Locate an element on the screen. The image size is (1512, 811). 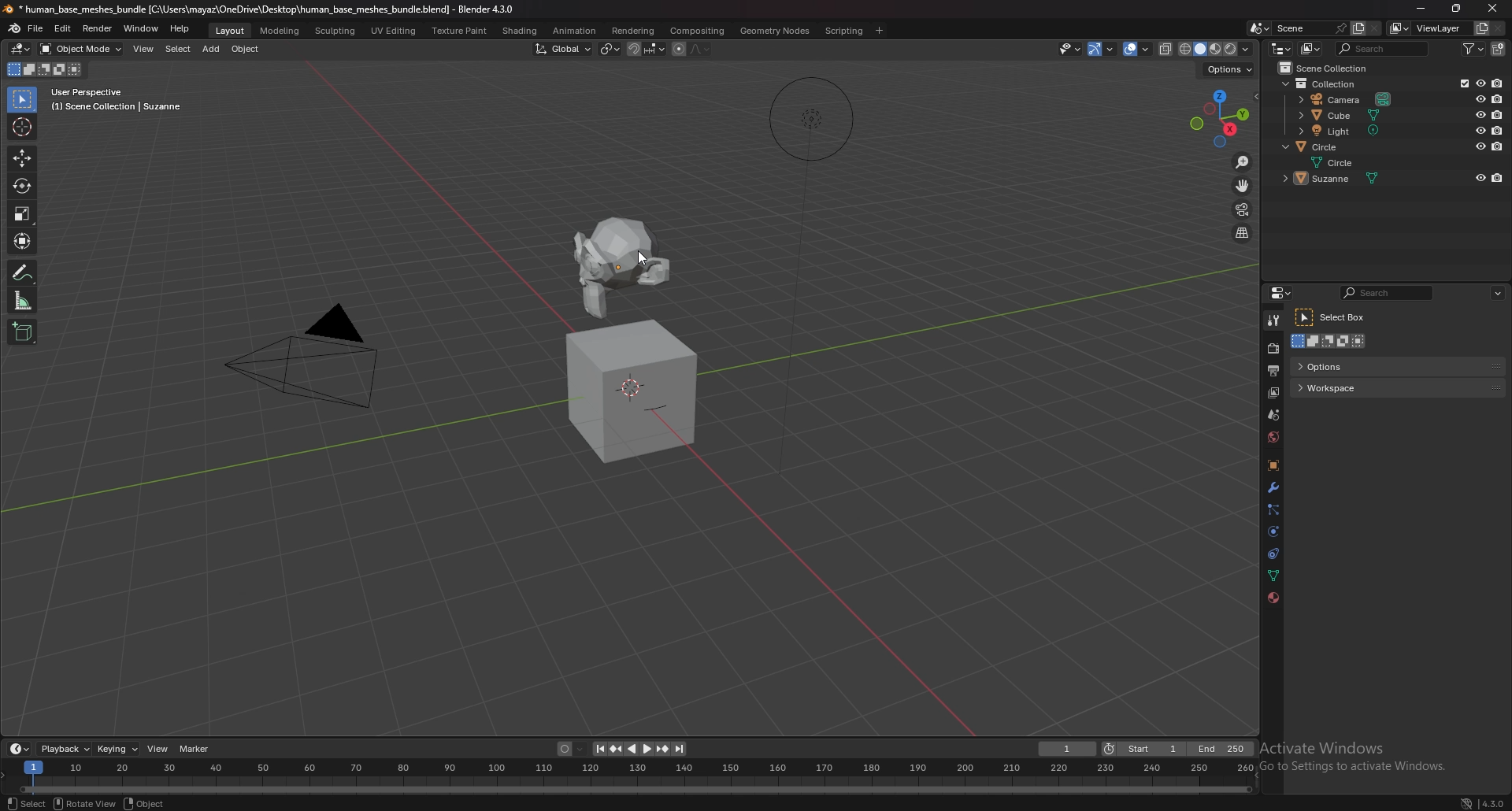
view is located at coordinates (146, 48).